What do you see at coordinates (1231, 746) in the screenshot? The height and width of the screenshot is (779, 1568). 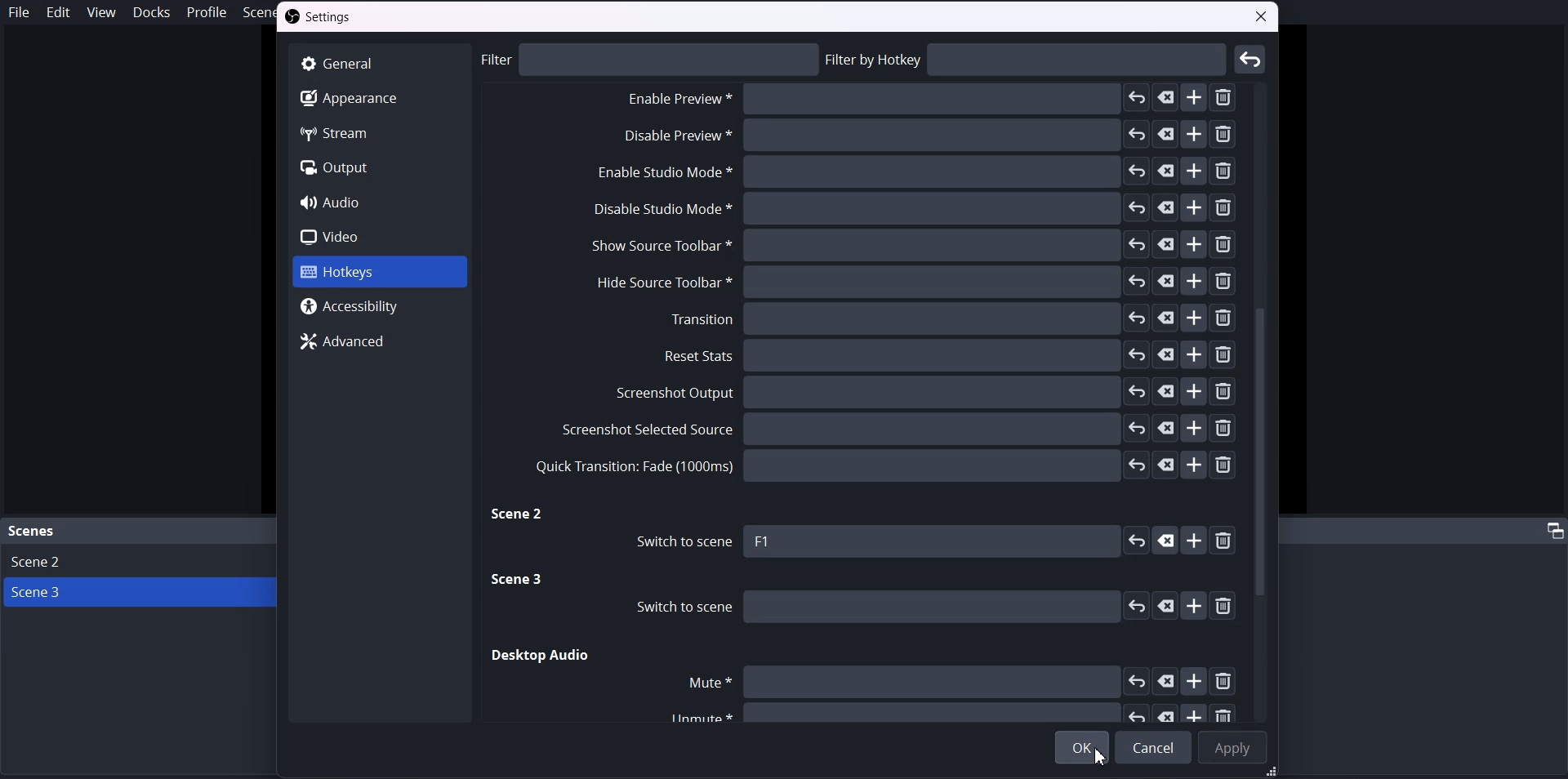 I see `Apply` at bounding box center [1231, 746].